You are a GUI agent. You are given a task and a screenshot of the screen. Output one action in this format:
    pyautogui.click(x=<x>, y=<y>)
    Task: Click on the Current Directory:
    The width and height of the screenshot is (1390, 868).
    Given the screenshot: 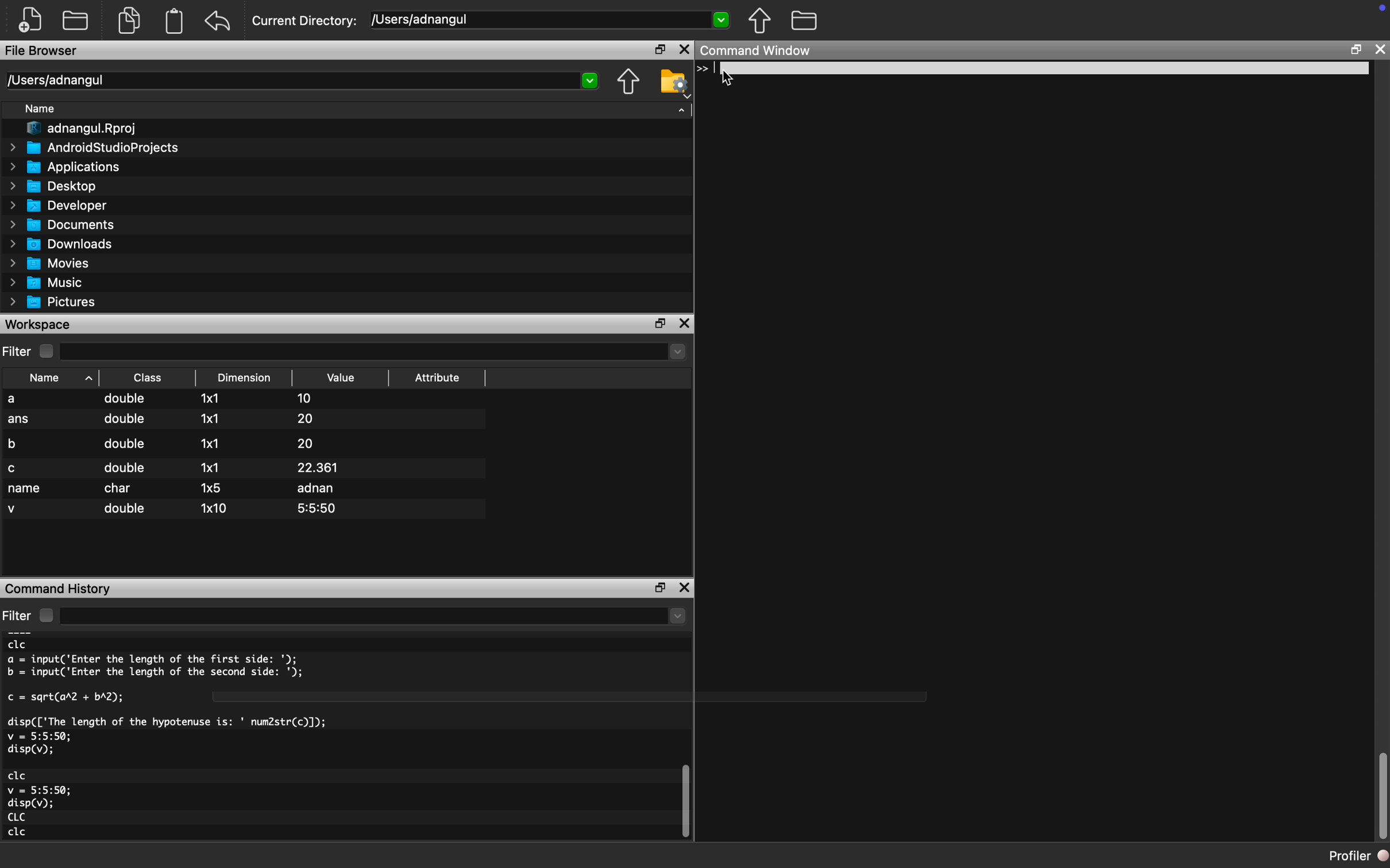 What is the action you would take?
    pyautogui.click(x=306, y=19)
    